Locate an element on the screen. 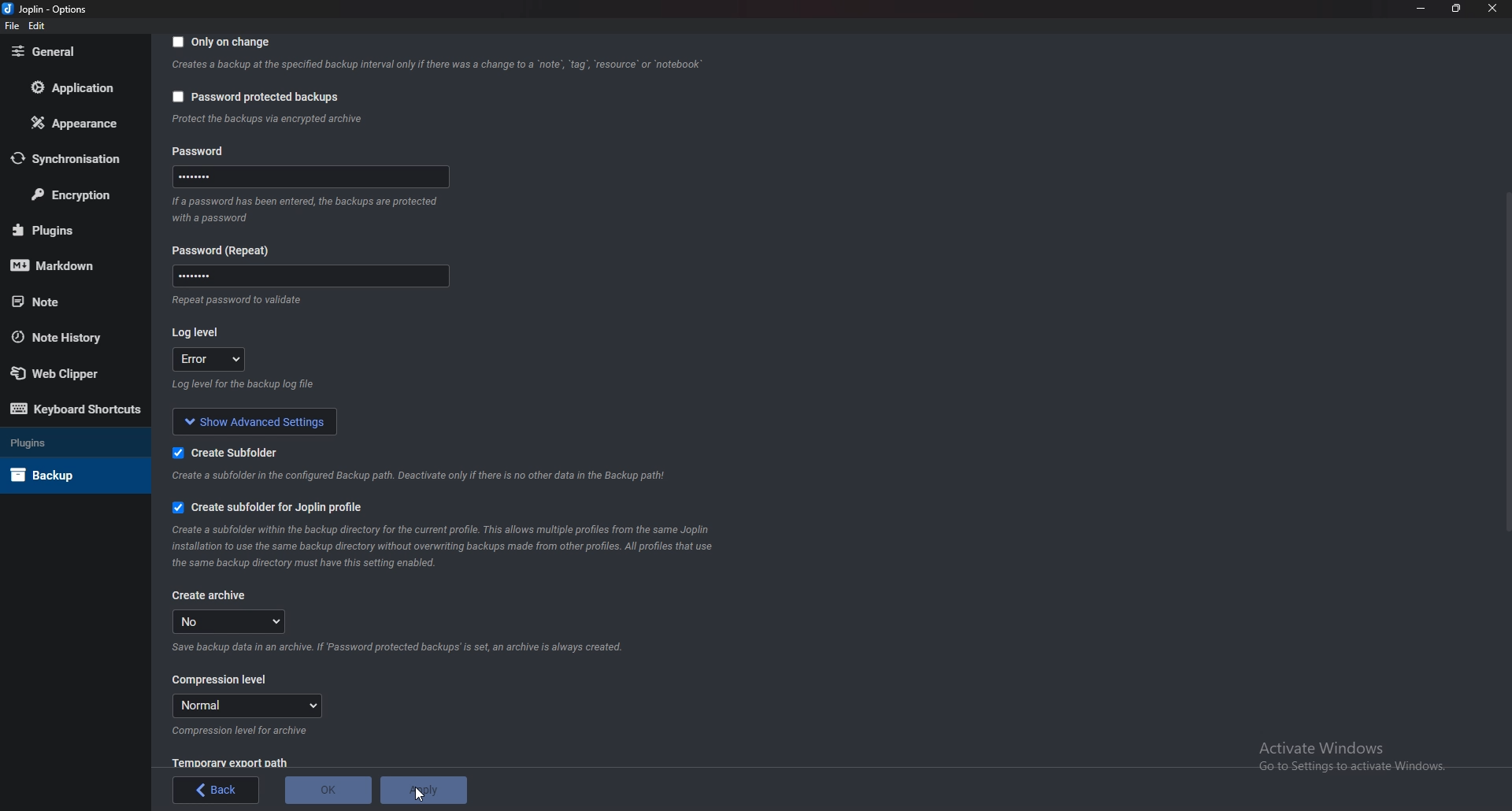 The image size is (1512, 811). no is located at coordinates (234, 621).